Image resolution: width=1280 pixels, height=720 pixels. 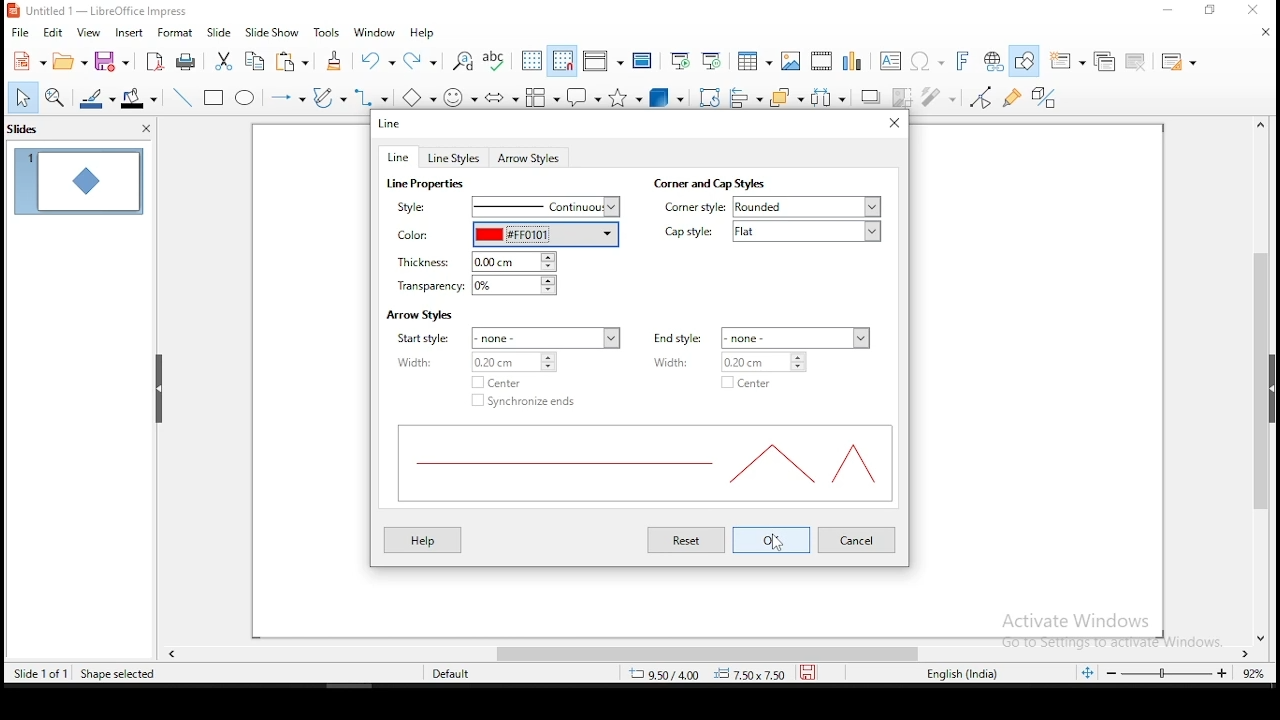 I want to click on synchronization, so click(x=528, y=401).